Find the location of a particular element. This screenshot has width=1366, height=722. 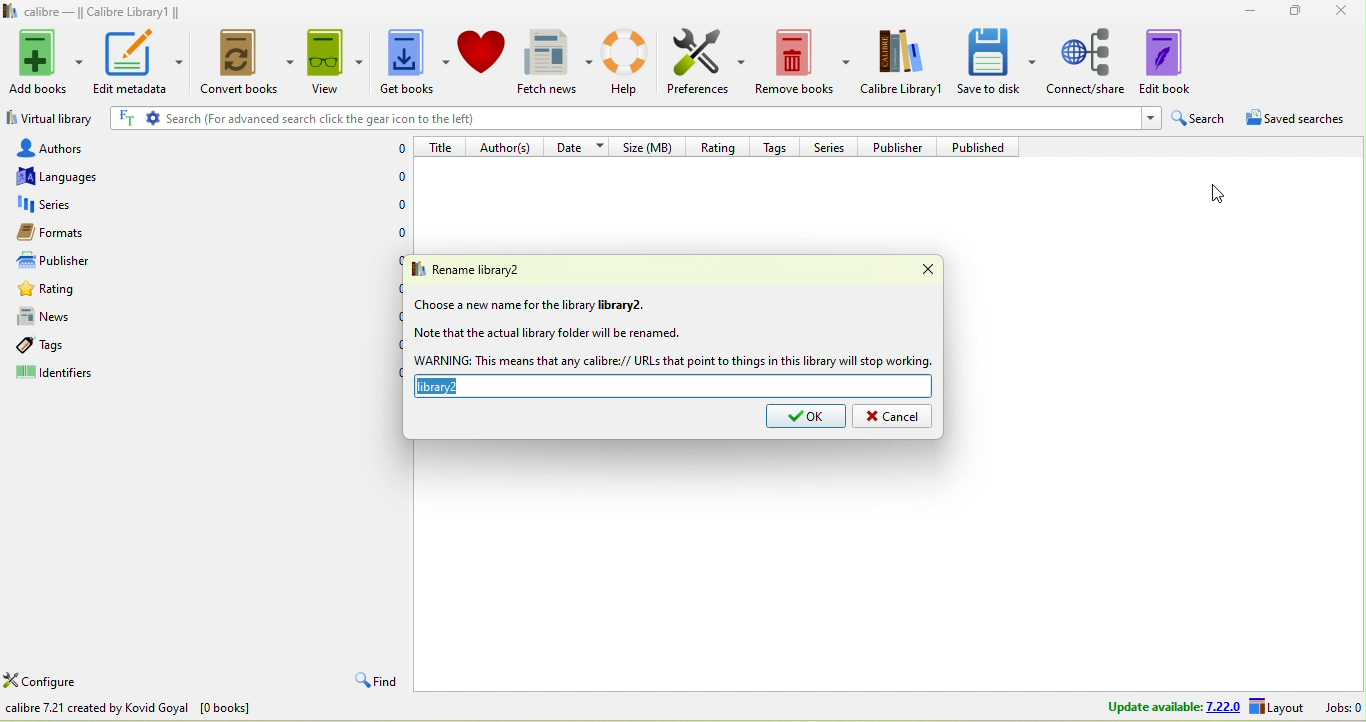

published is located at coordinates (985, 147).